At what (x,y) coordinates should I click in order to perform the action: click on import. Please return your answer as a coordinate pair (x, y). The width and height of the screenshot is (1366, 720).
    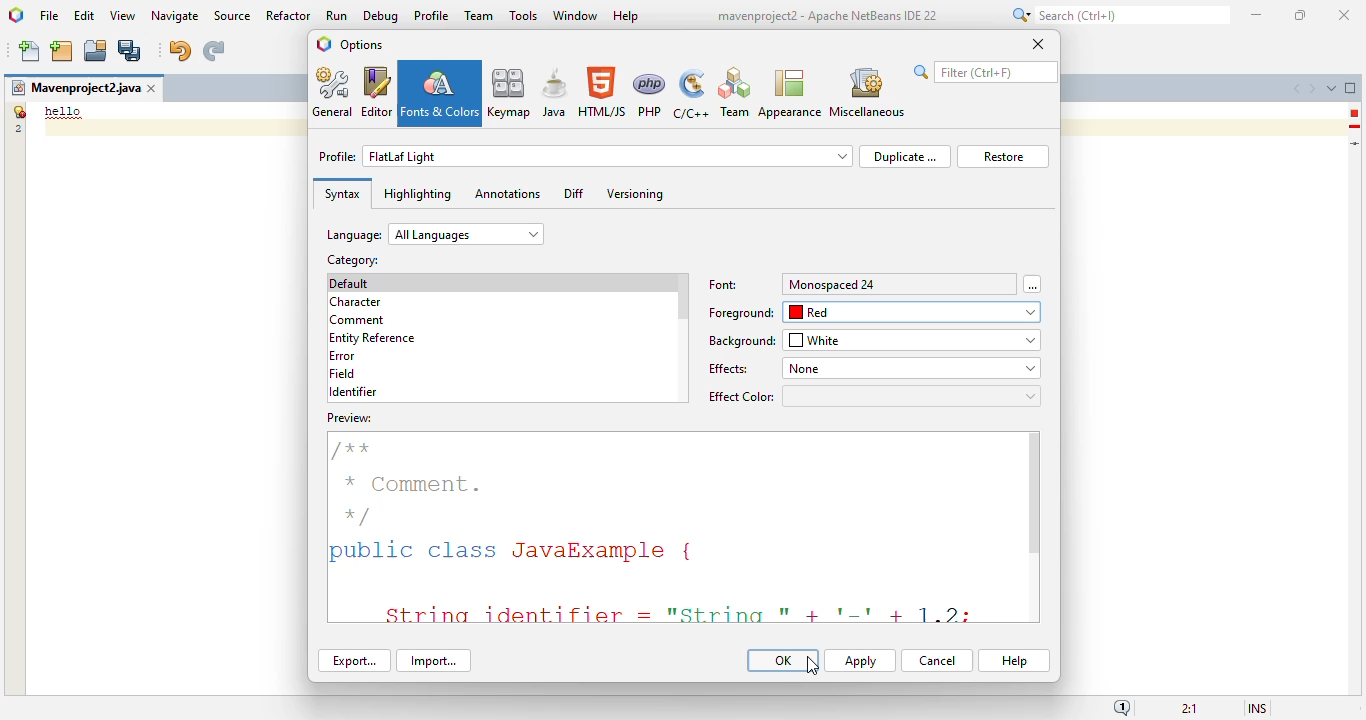
    Looking at the image, I should click on (433, 661).